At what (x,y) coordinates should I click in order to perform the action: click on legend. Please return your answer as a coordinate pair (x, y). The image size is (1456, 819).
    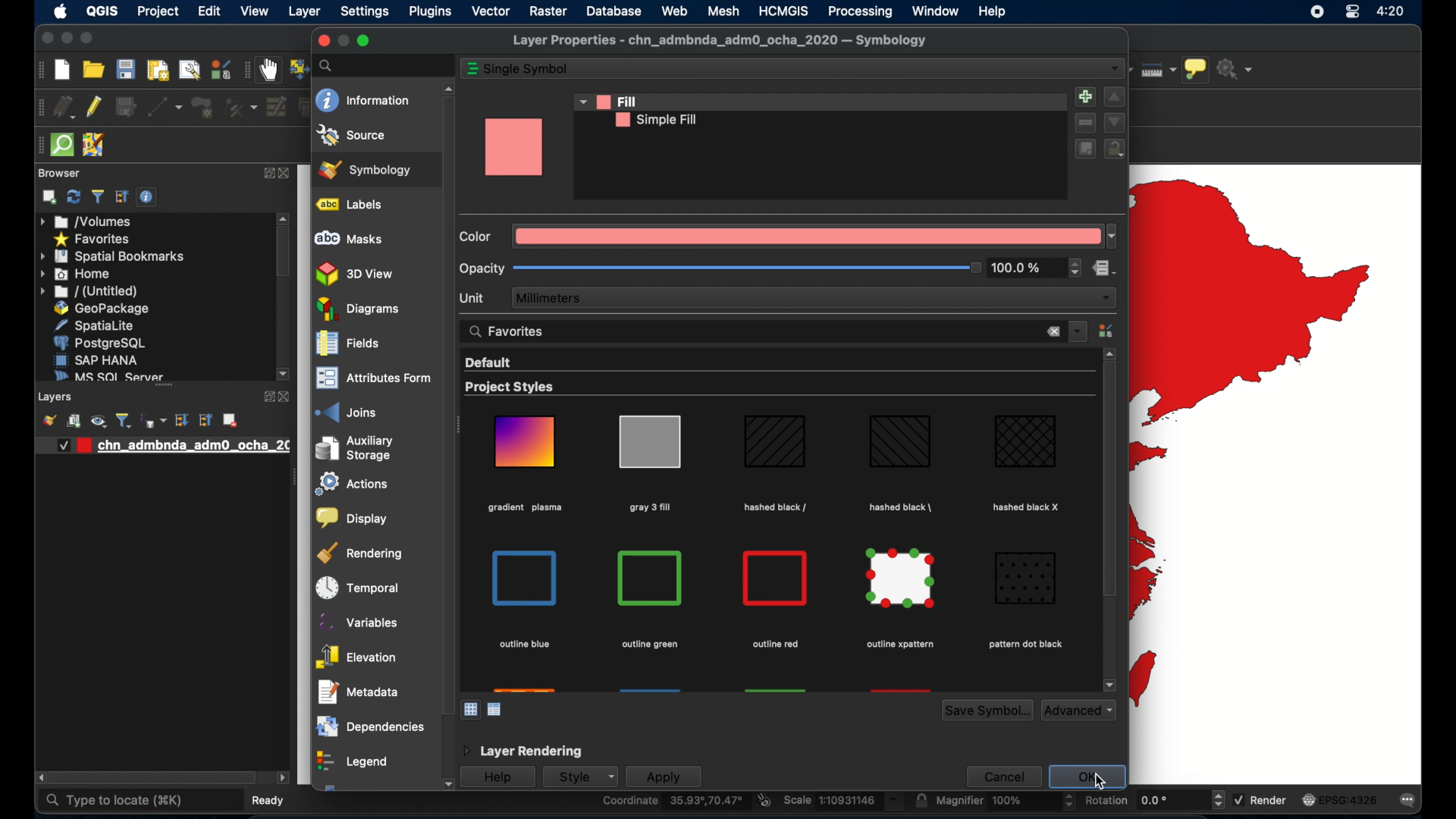
    Looking at the image, I should click on (351, 763).